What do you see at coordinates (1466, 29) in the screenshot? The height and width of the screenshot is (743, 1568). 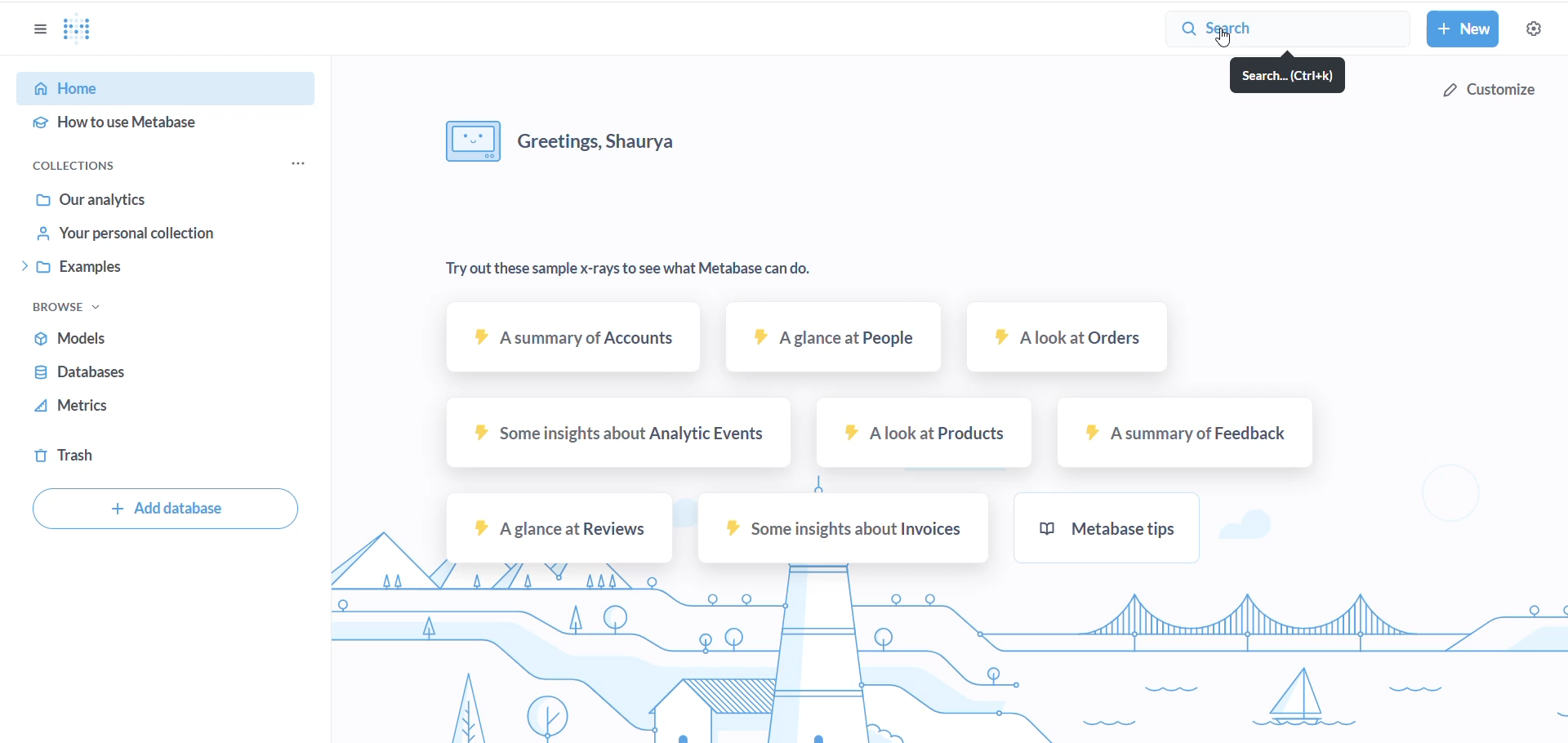 I see `new button` at bounding box center [1466, 29].